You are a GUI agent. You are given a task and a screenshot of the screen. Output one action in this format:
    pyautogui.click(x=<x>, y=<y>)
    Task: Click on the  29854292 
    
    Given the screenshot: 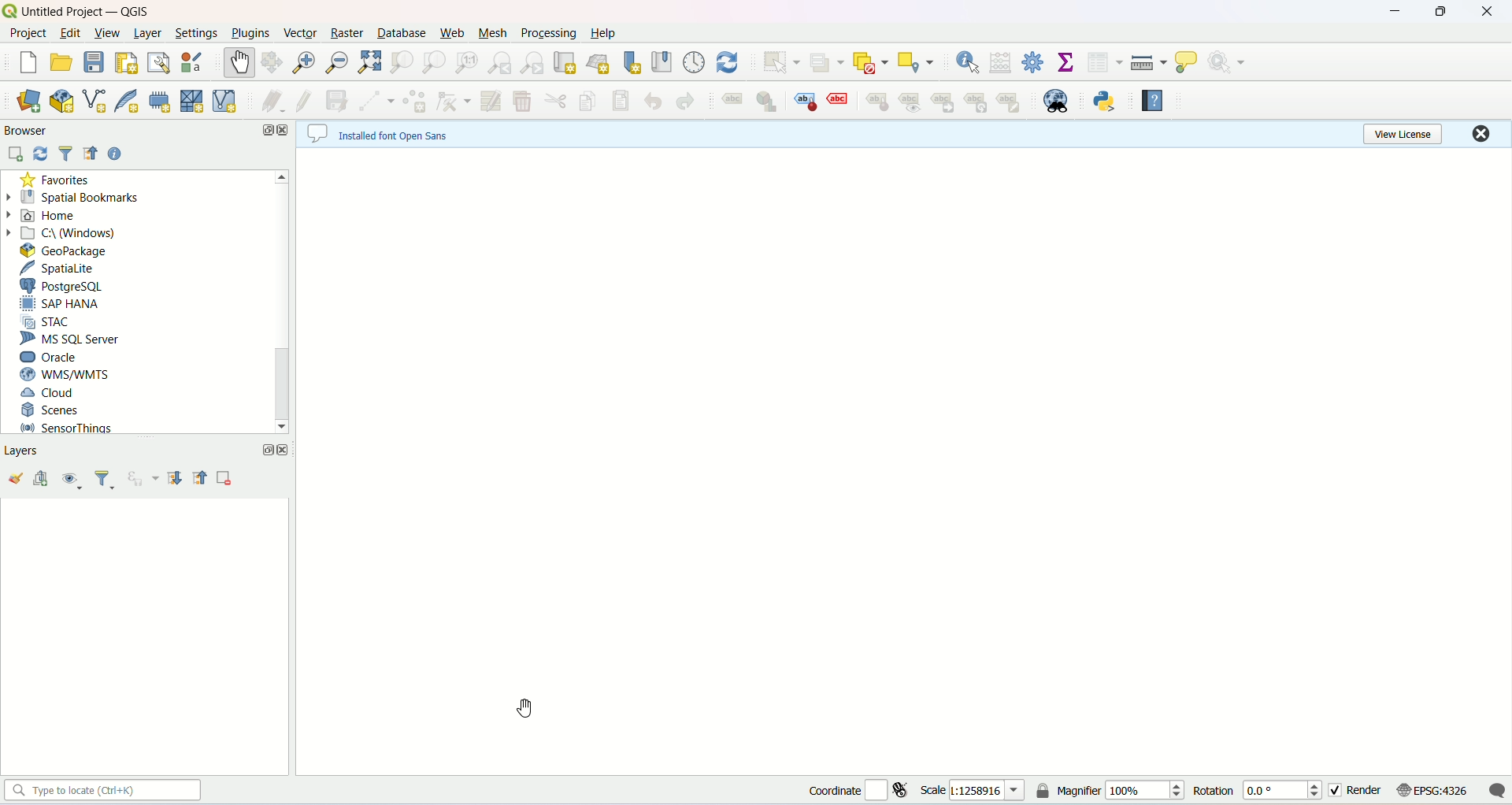 What is the action you would take?
    pyautogui.click(x=986, y=790)
    